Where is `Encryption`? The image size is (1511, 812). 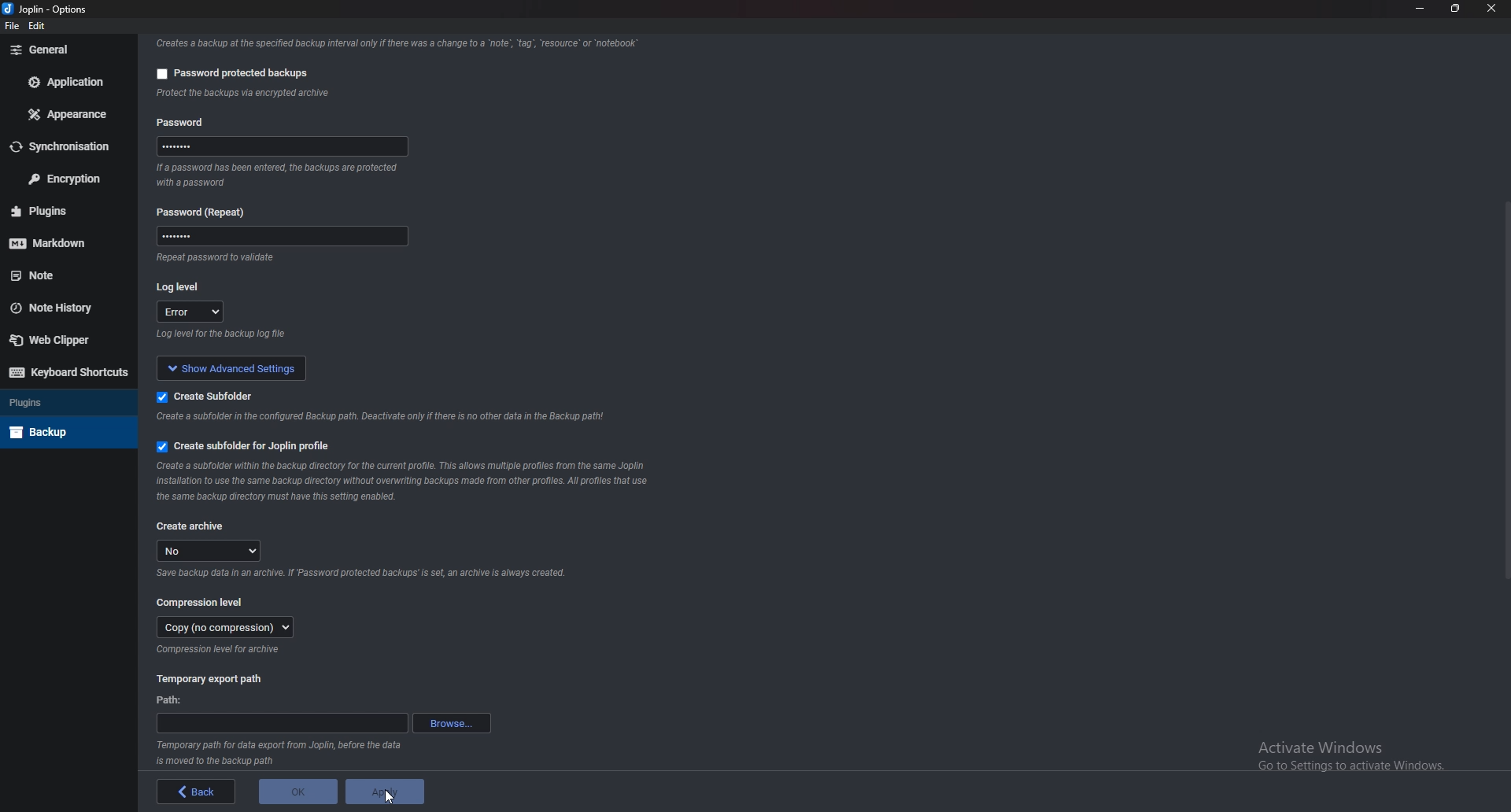 Encryption is located at coordinates (65, 178).